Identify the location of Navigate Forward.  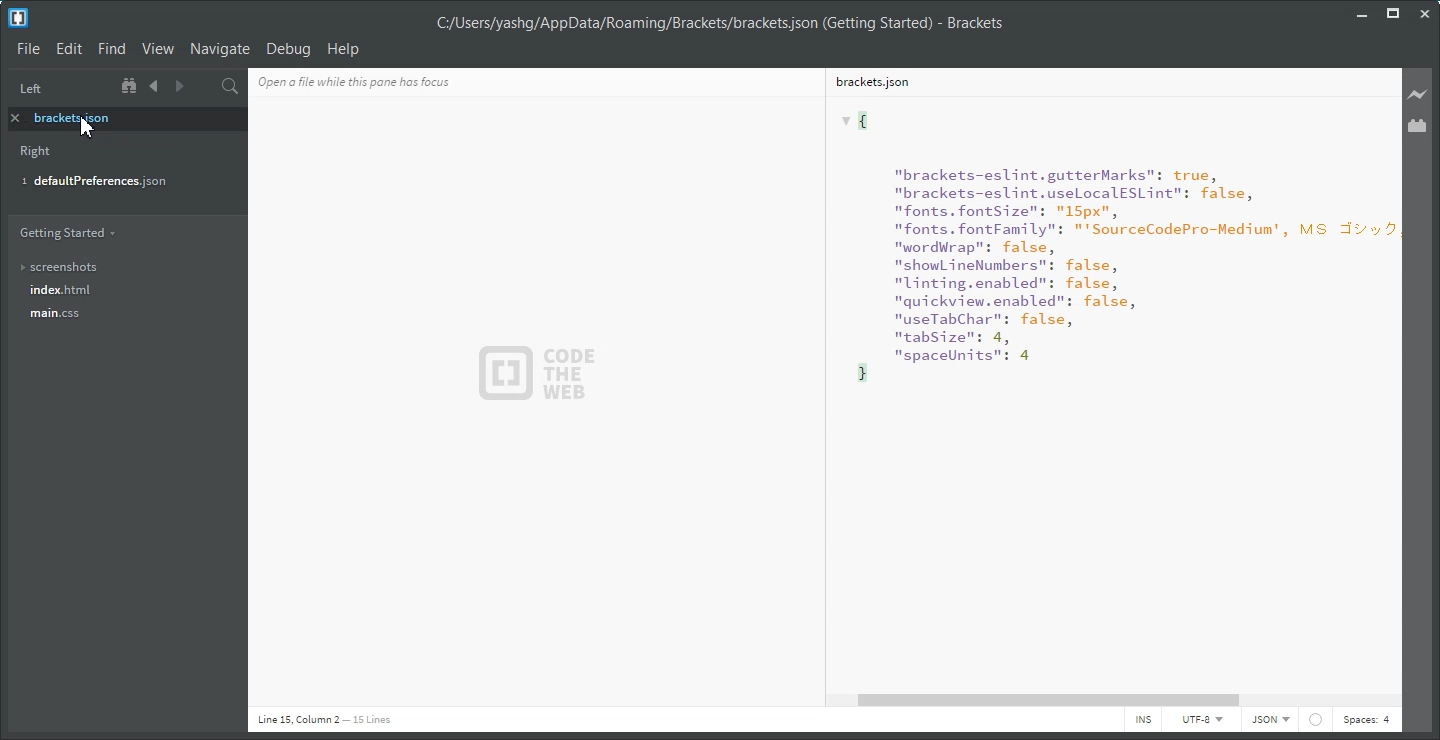
(177, 87).